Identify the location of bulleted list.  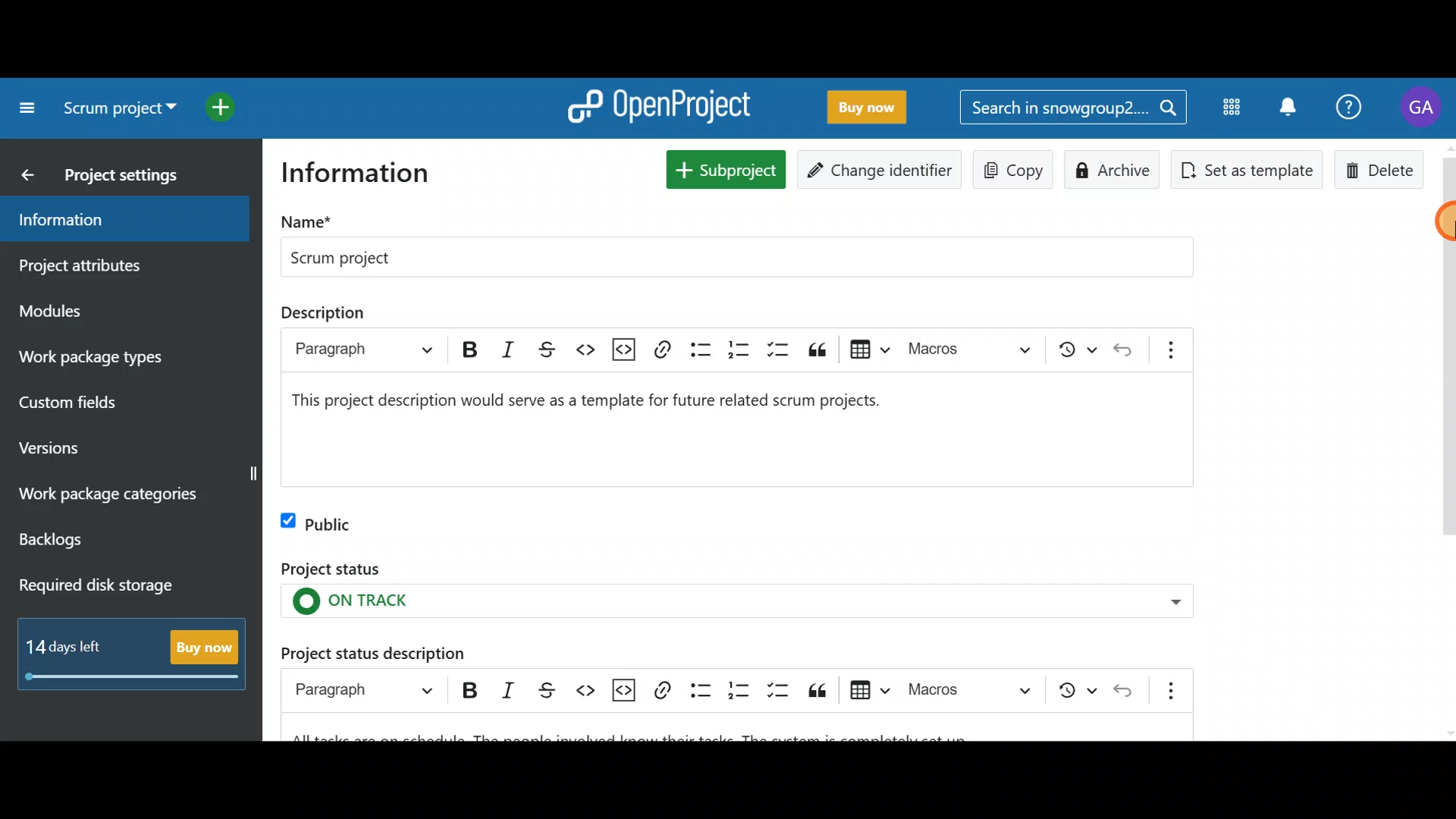
(700, 350).